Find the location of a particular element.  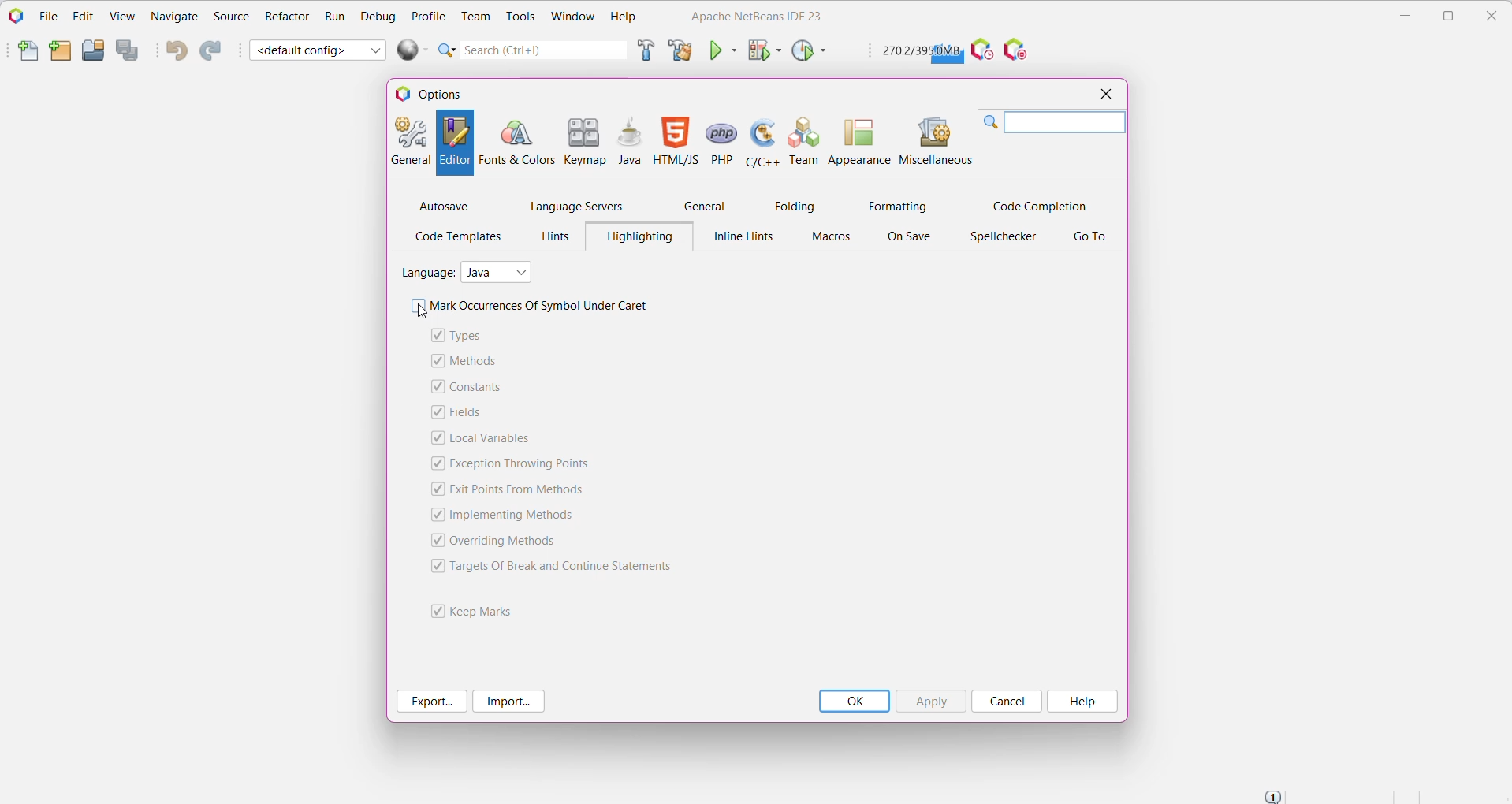

Save All is located at coordinates (129, 50).